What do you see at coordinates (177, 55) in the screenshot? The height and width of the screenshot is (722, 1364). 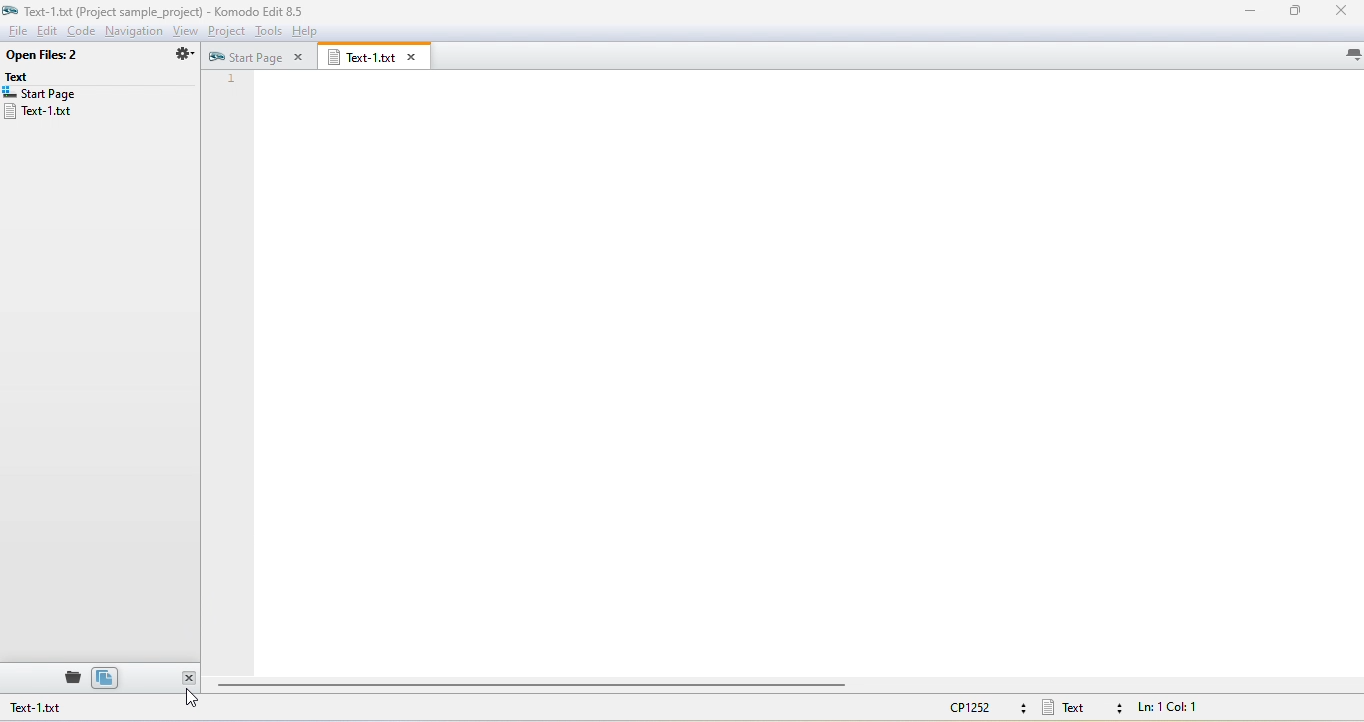 I see `settings` at bounding box center [177, 55].